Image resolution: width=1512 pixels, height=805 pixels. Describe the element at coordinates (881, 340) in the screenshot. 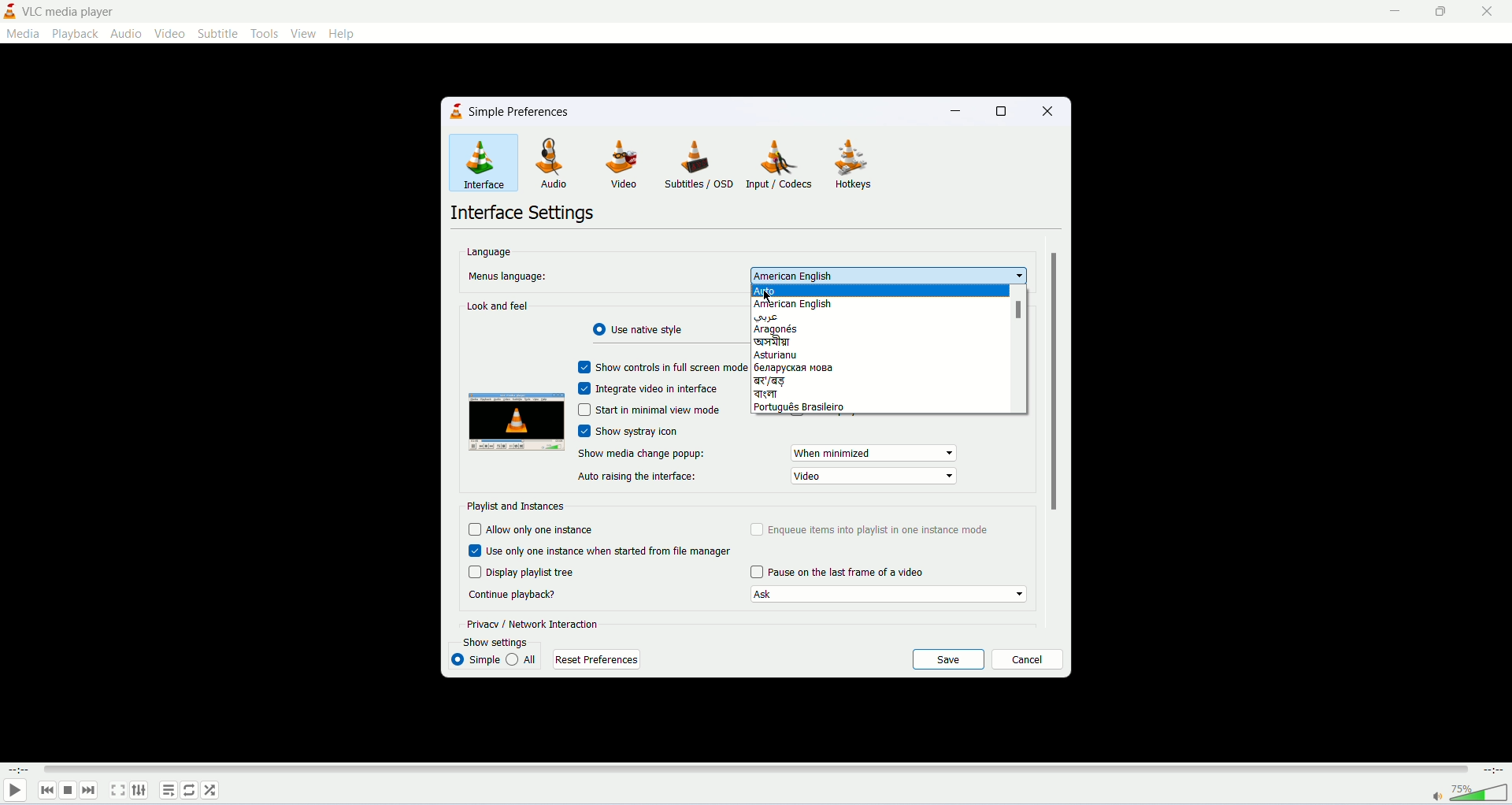

I see `assamese ` at that location.